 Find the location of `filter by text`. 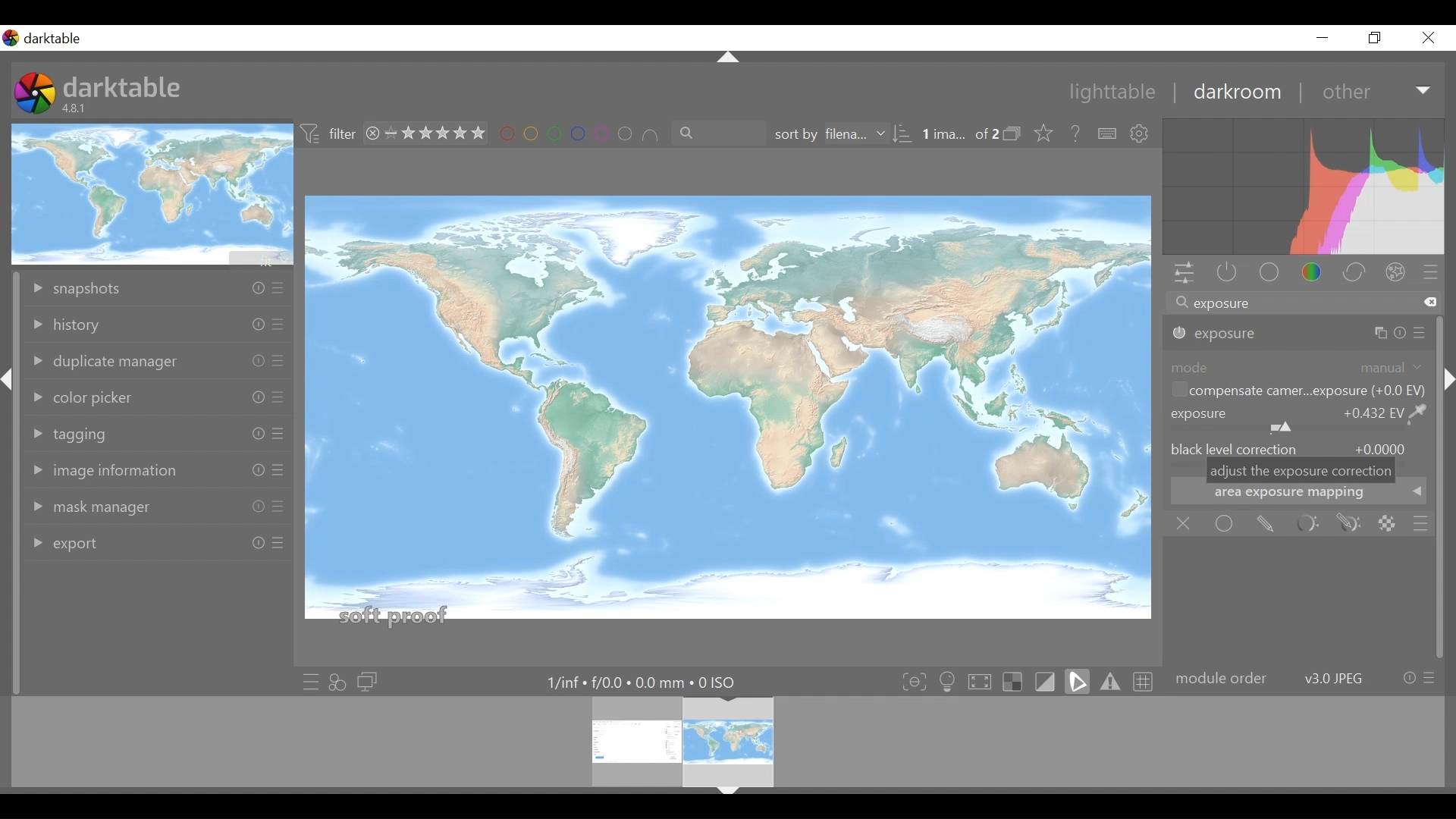

filter by text is located at coordinates (711, 134).